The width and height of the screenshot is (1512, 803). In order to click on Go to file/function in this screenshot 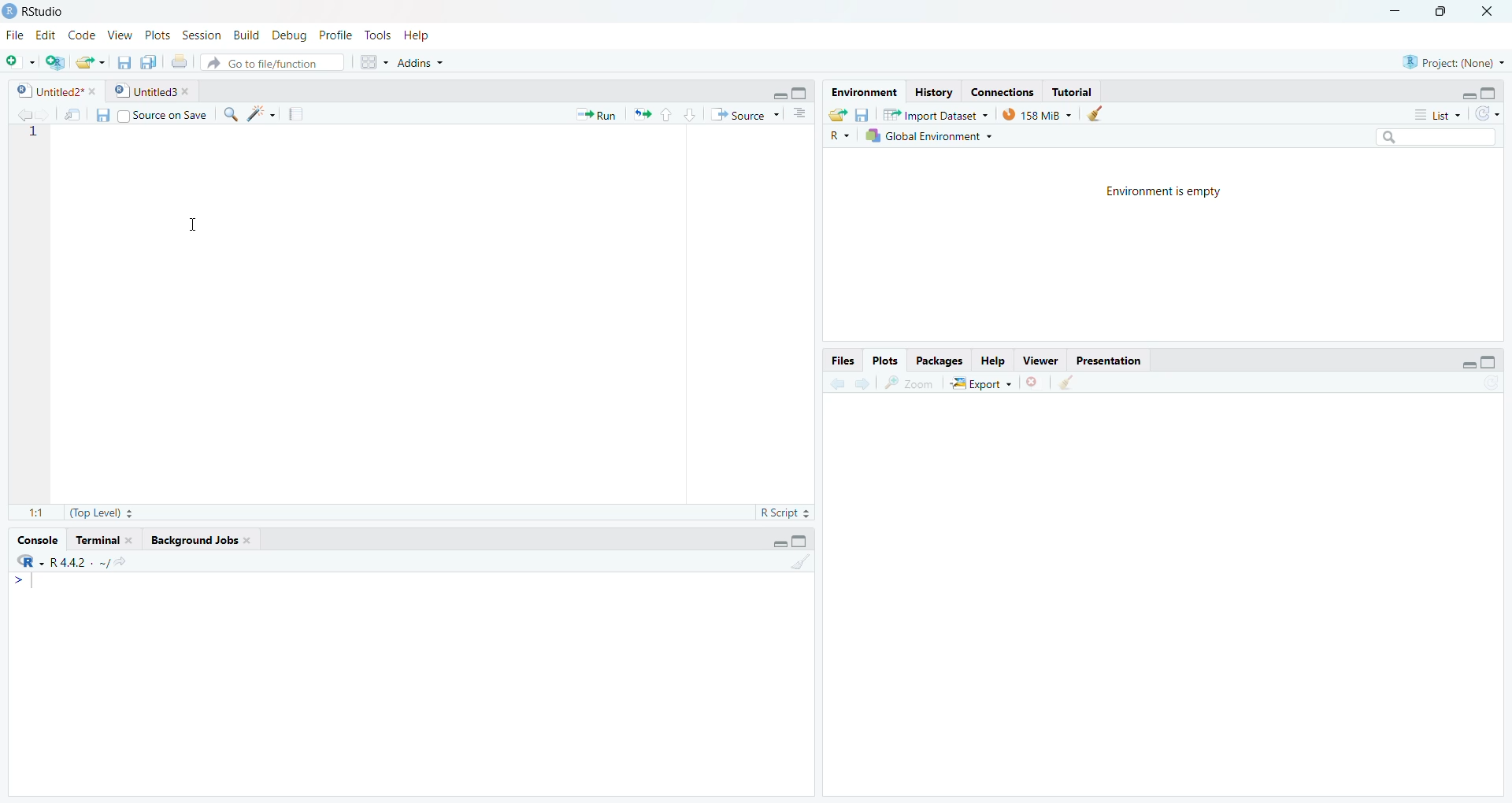, I will do `click(276, 62)`.